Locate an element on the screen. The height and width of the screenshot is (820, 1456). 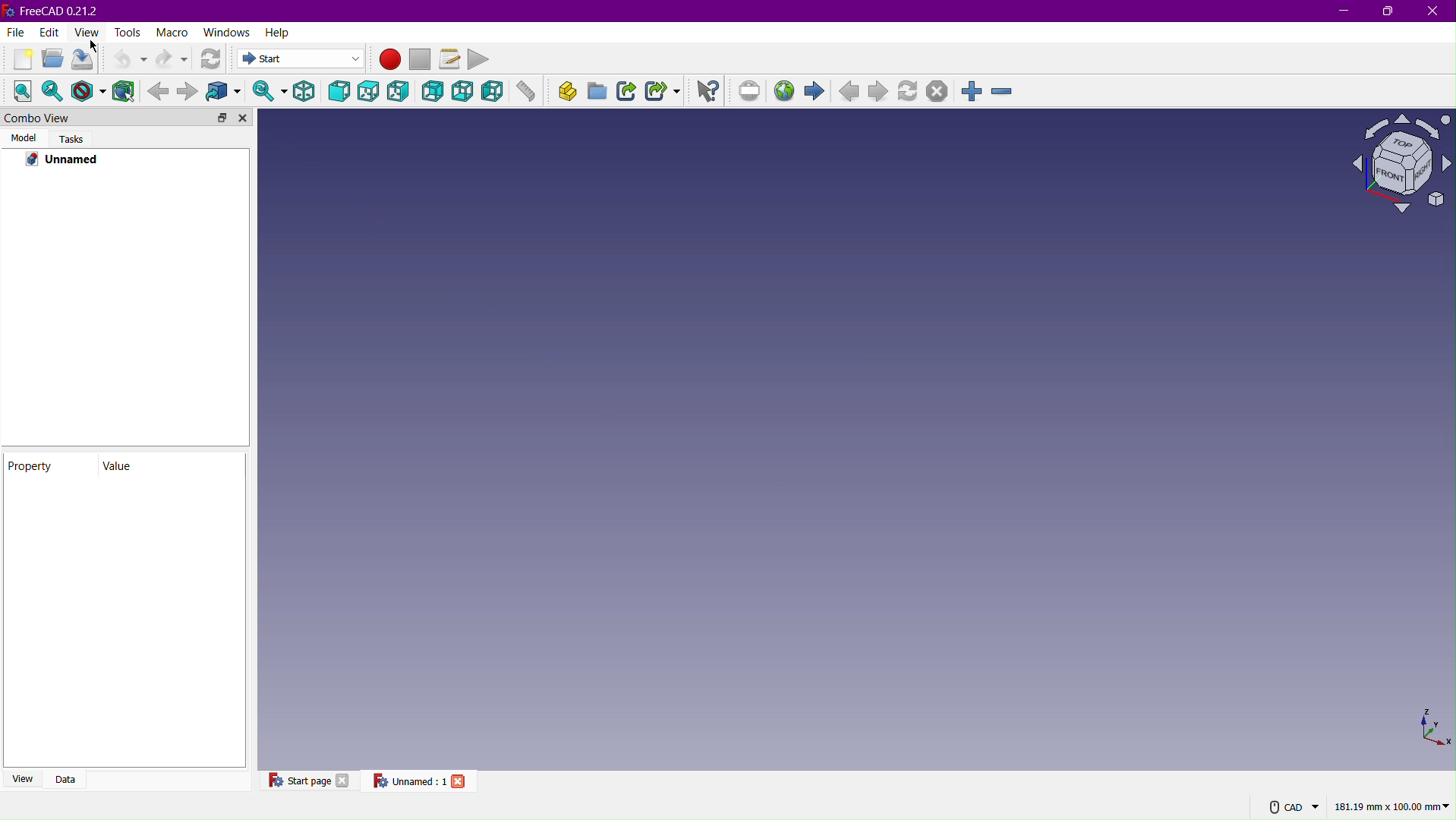
What's this? is located at coordinates (707, 93).